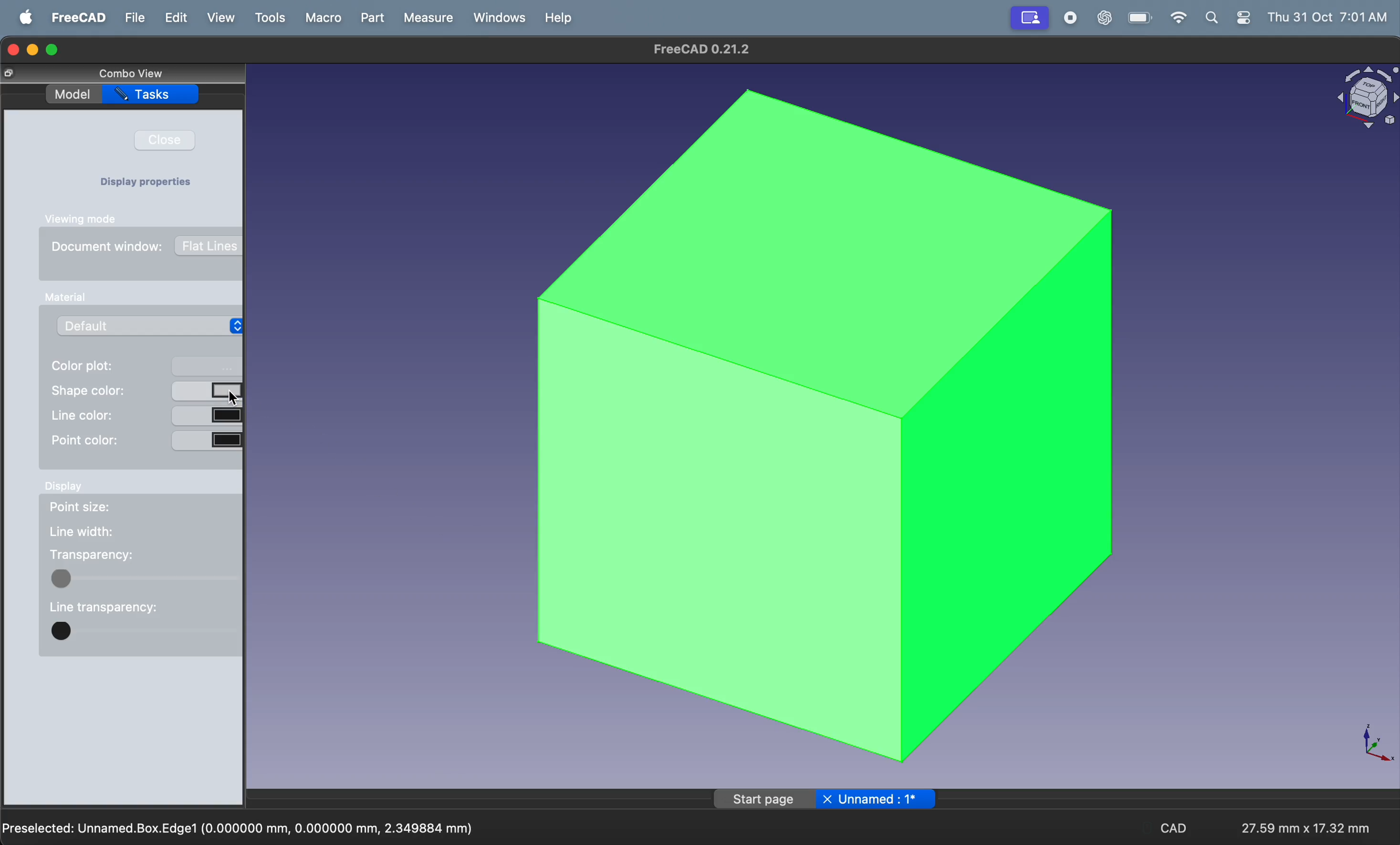  Describe the element at coordinates (91, 555) in the screenshot. I see `transparency` at that location.